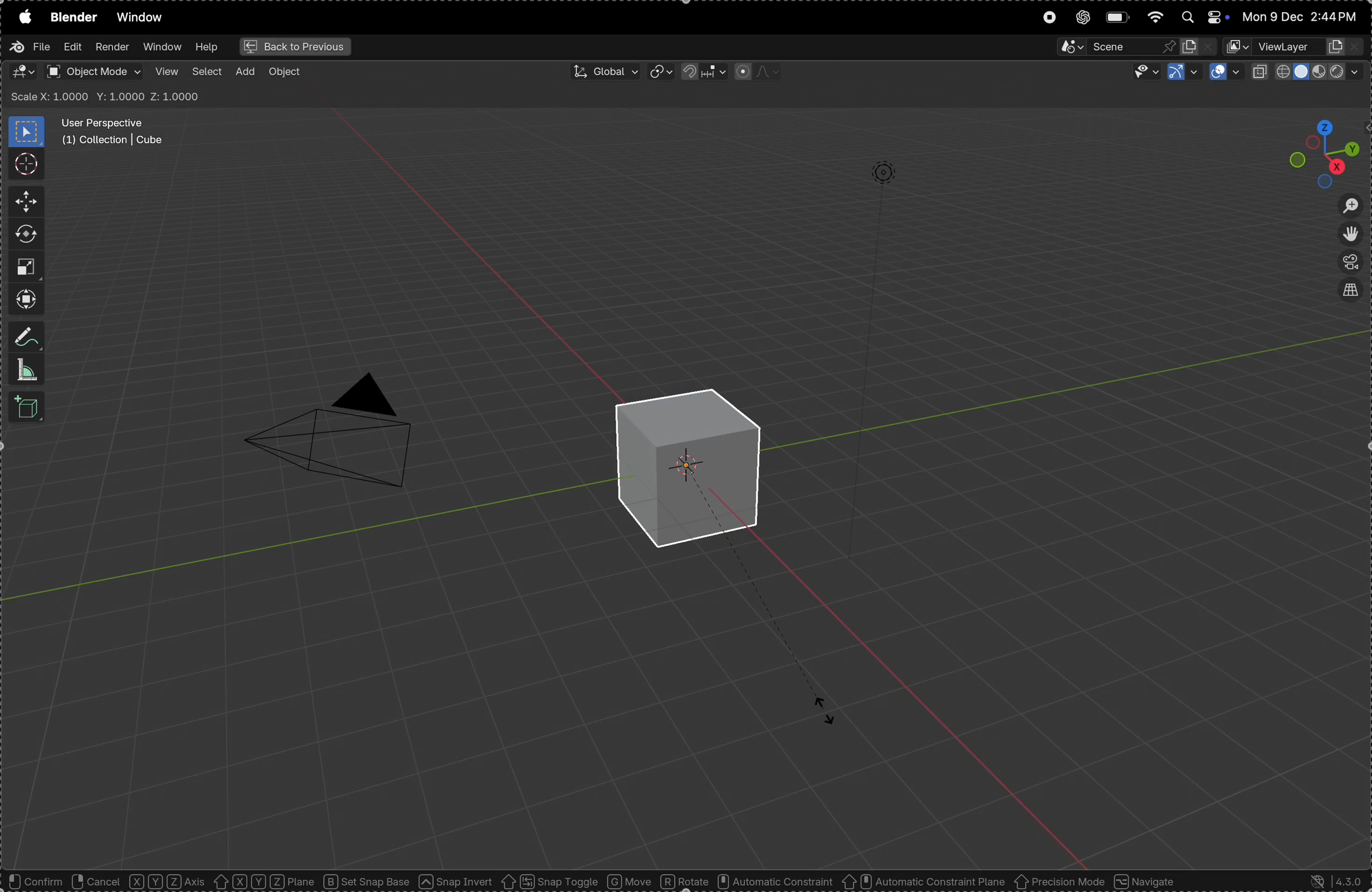  I want to click on blender, so click(72, 20).